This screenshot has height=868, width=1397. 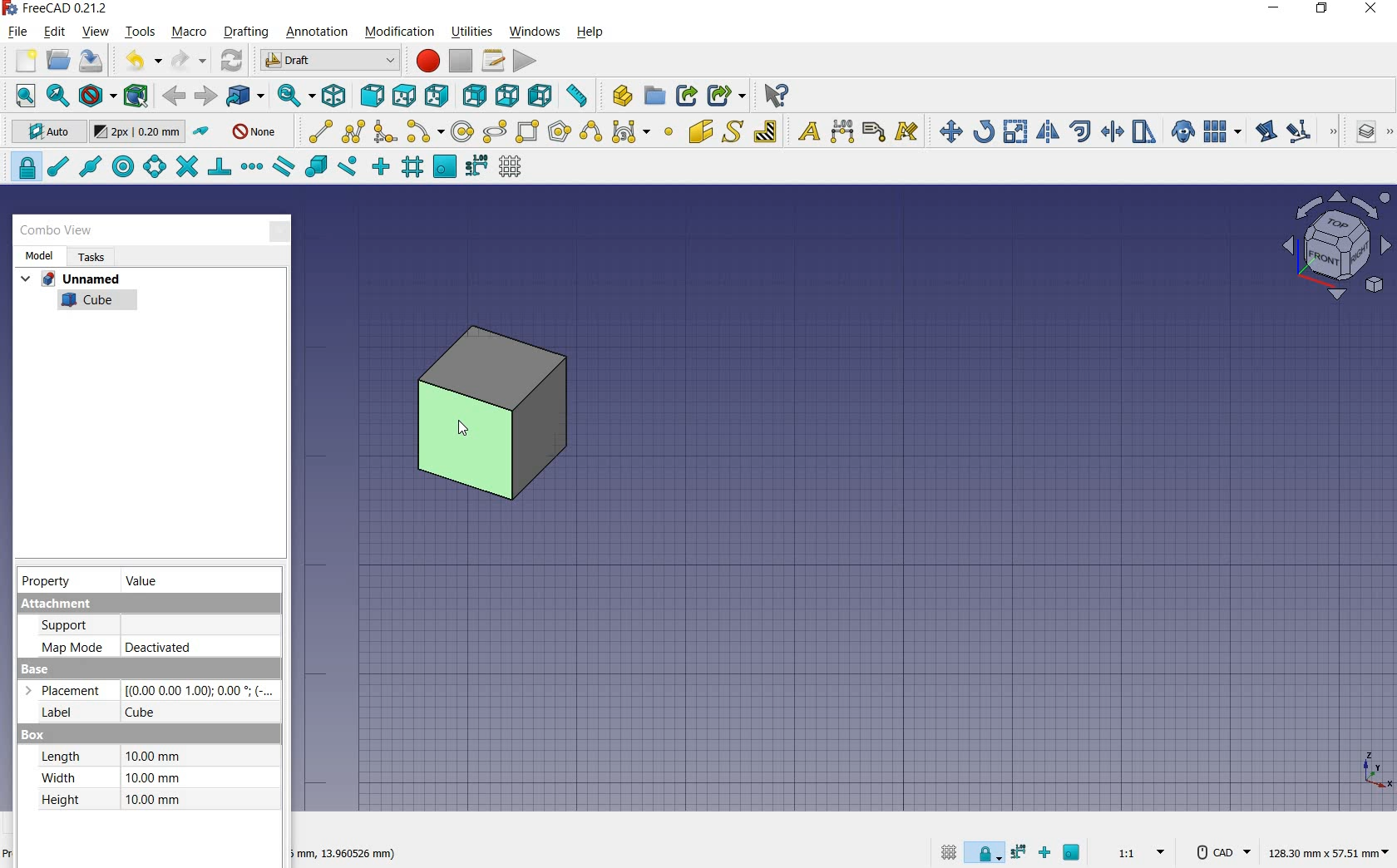 I want to click on label, so click(x=874, y=131).